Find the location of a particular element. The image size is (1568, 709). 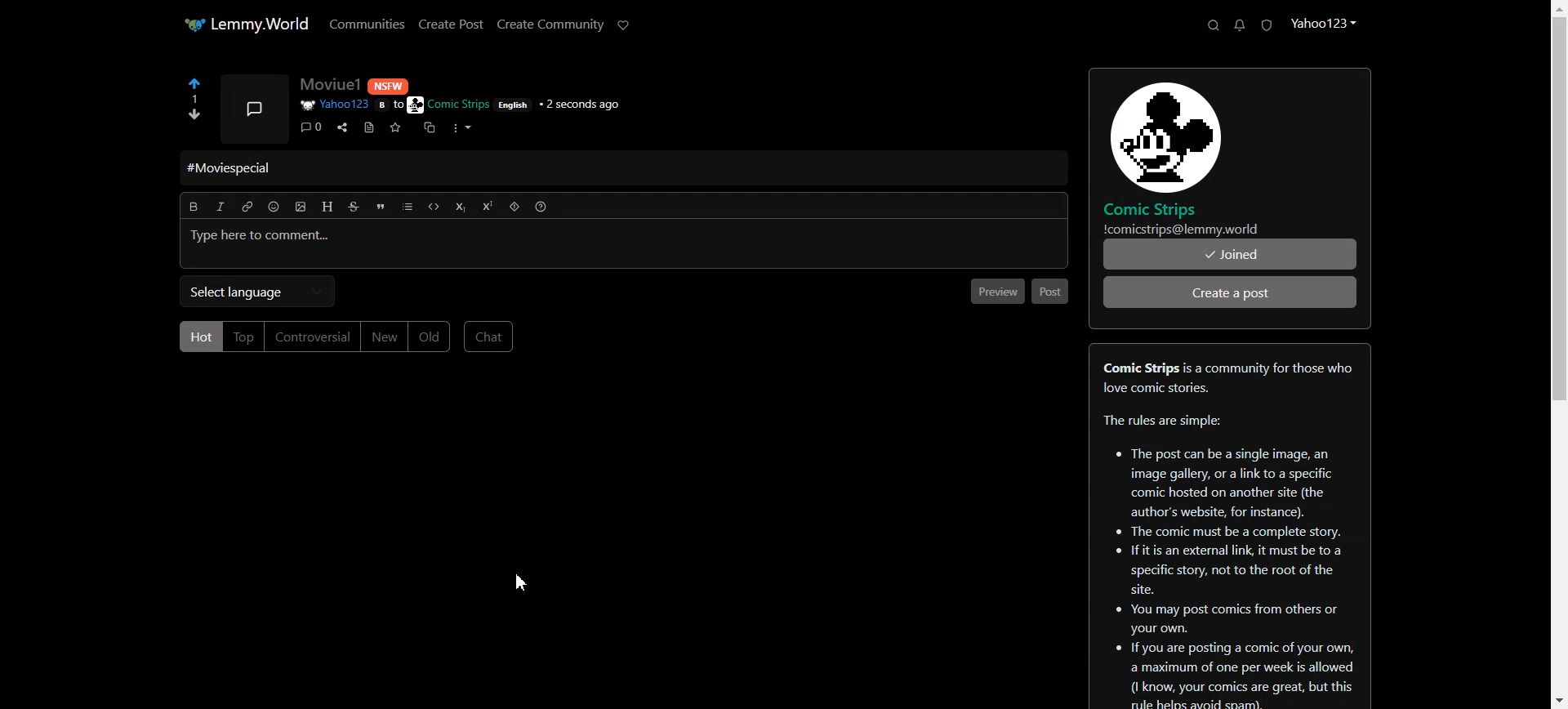

More is located at coordinates (463, 128).